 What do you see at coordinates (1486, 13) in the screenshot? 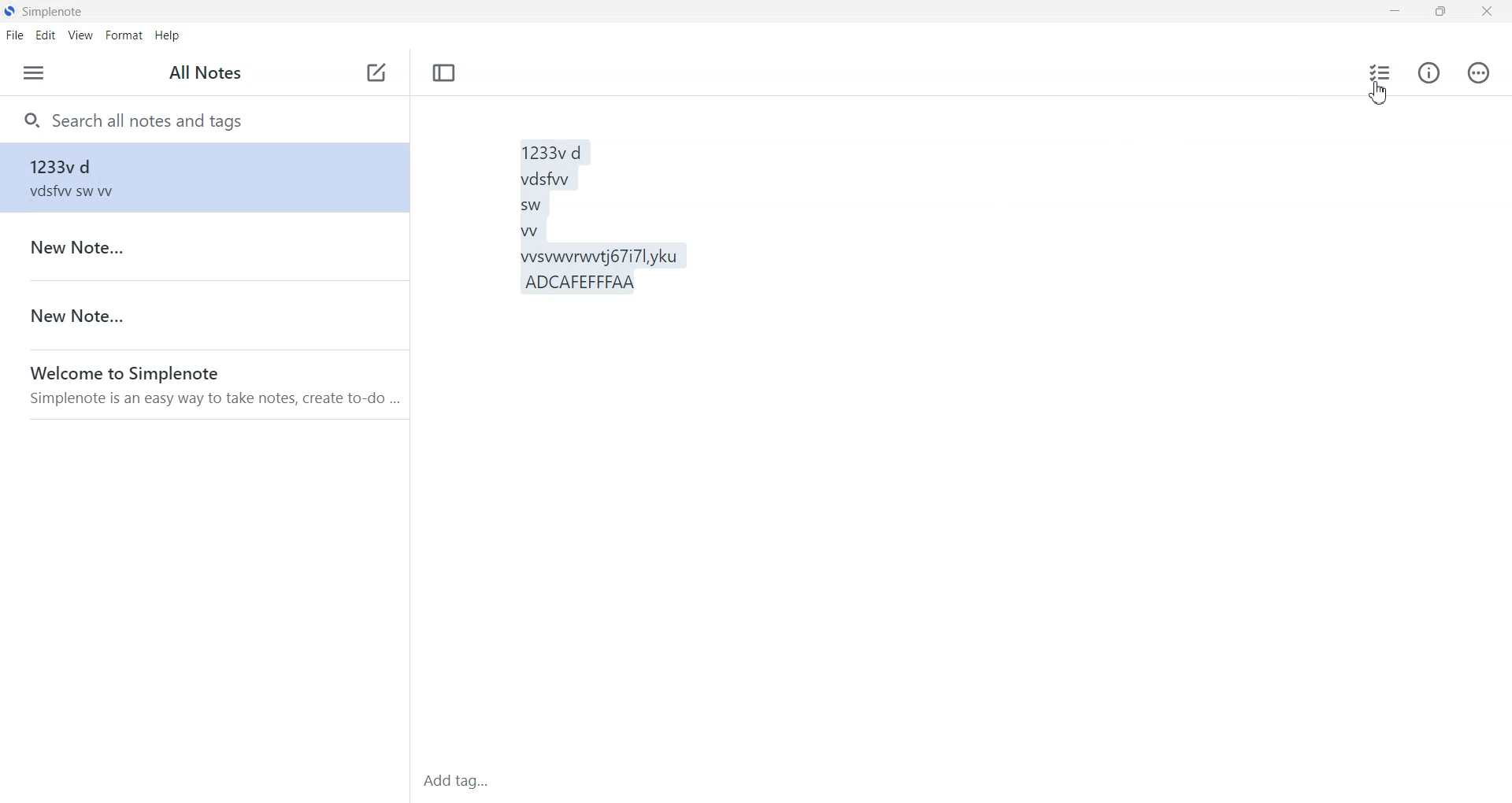
I see `Close` at bounding box center [1486, 13].